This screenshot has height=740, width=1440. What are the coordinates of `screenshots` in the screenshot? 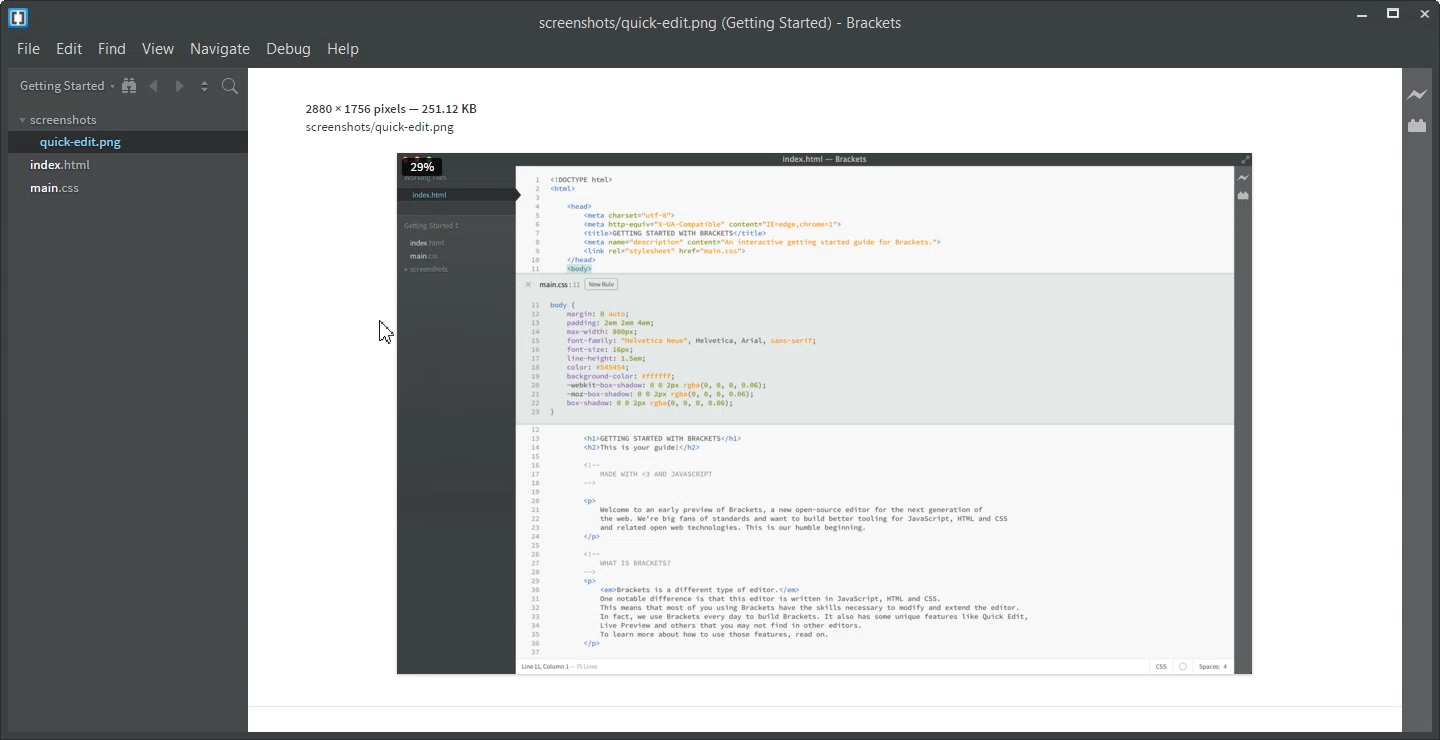 It's located at (62, 121).